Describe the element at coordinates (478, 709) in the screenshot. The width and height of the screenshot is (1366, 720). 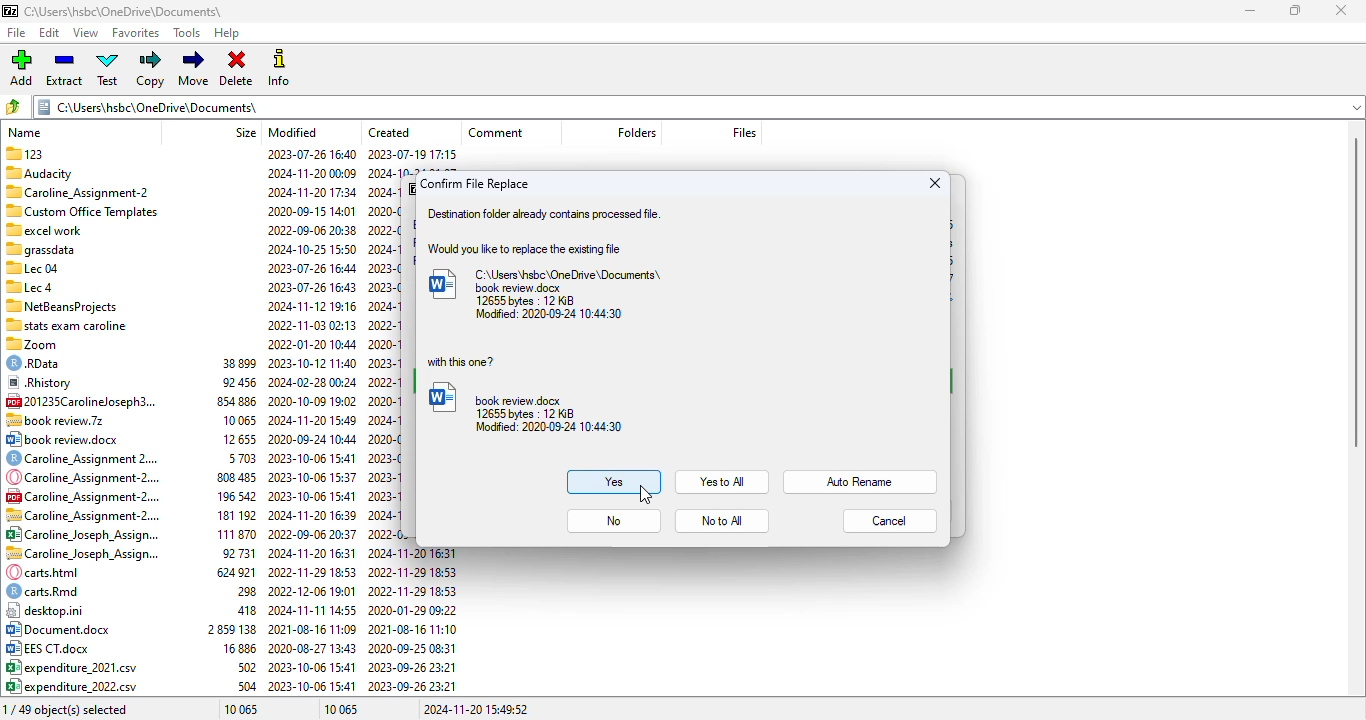
I see `2024-11-20 15:49:52` at that location.